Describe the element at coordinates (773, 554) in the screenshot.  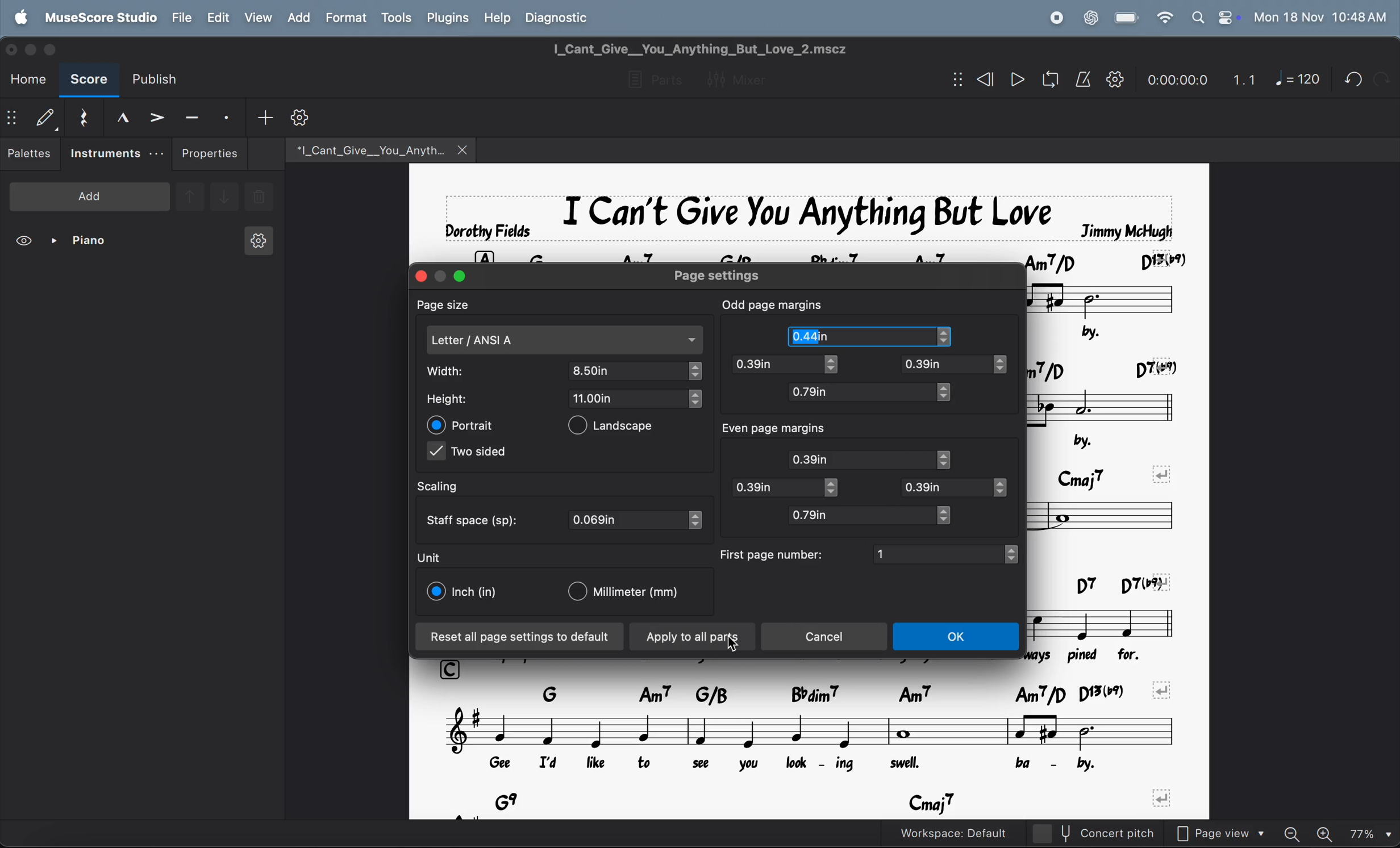
I see `first page no` at that location.